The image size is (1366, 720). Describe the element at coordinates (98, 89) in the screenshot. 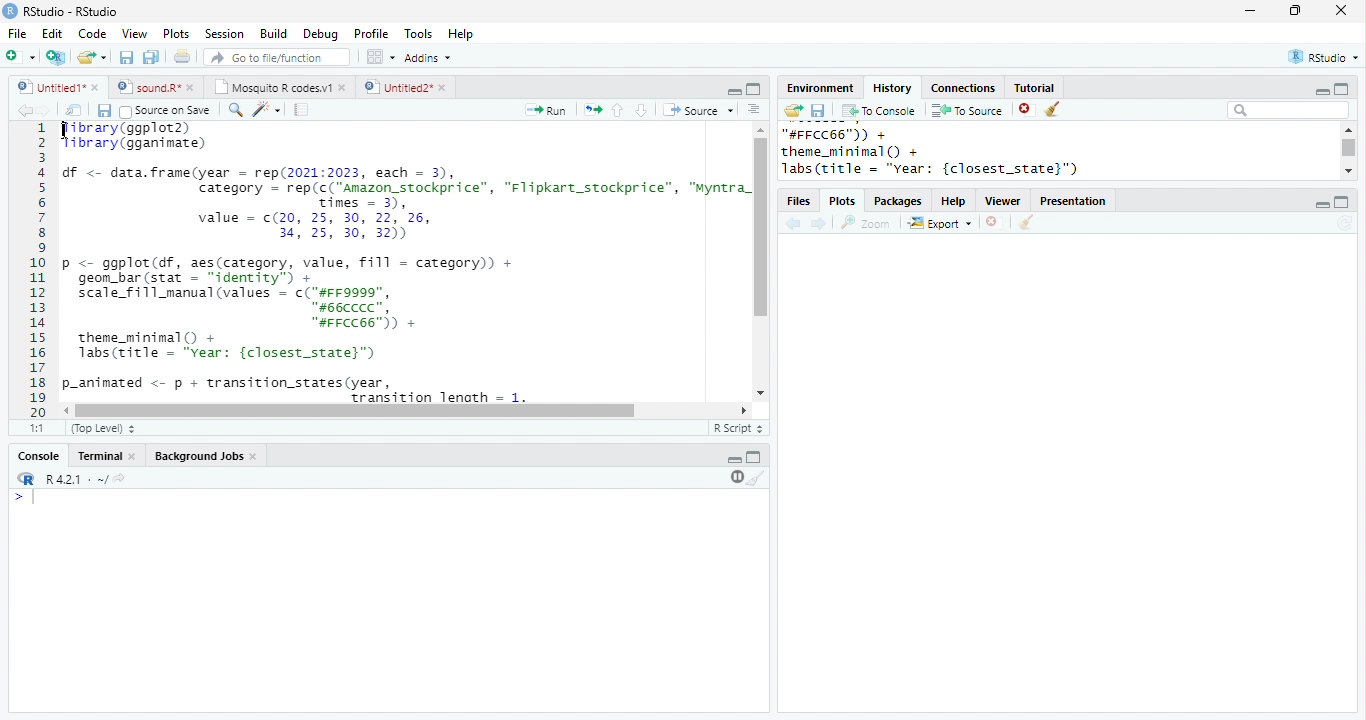

I see `close` at that location.